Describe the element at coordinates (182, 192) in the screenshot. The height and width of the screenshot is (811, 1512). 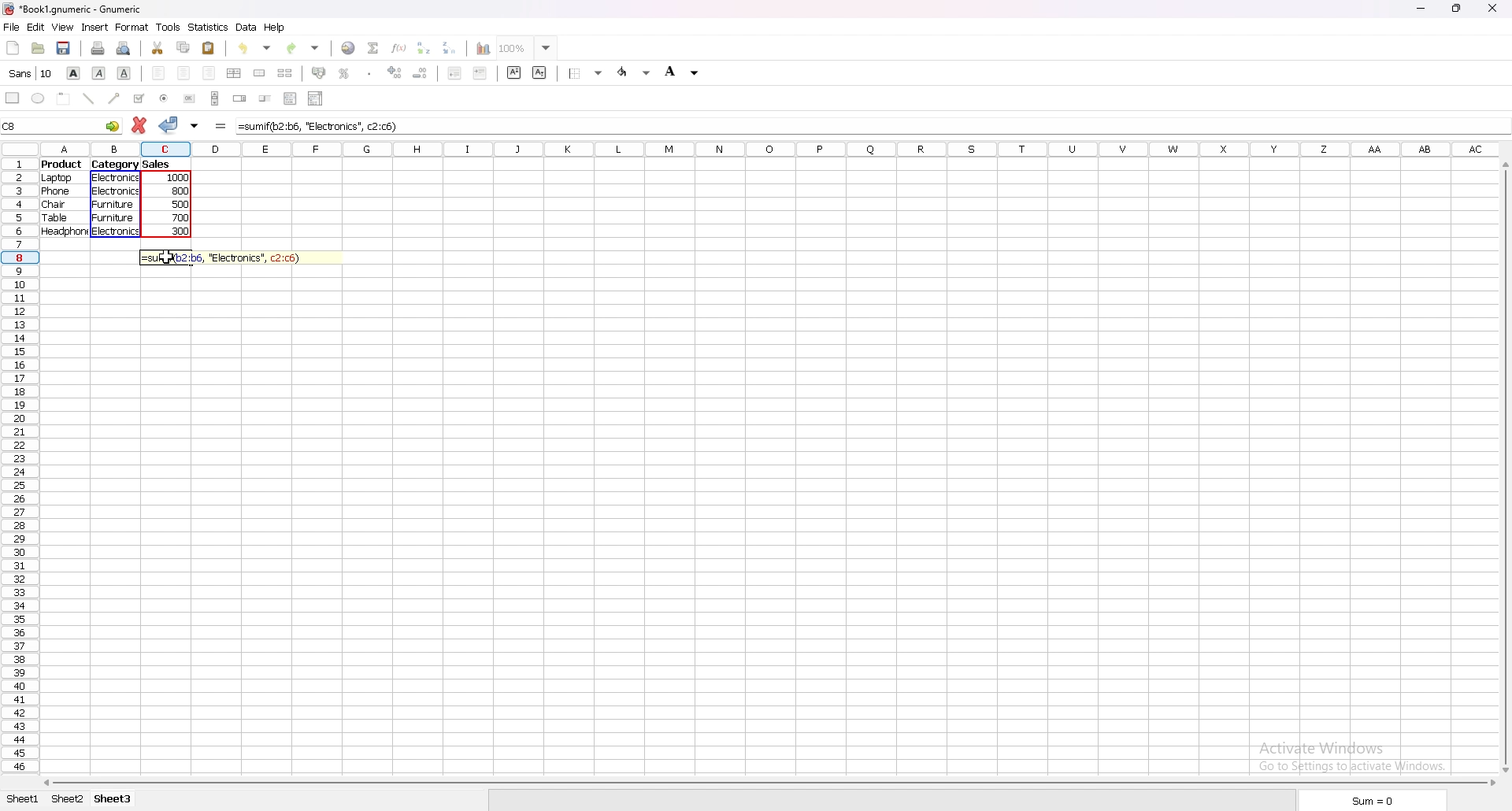
I see `800` at that location.